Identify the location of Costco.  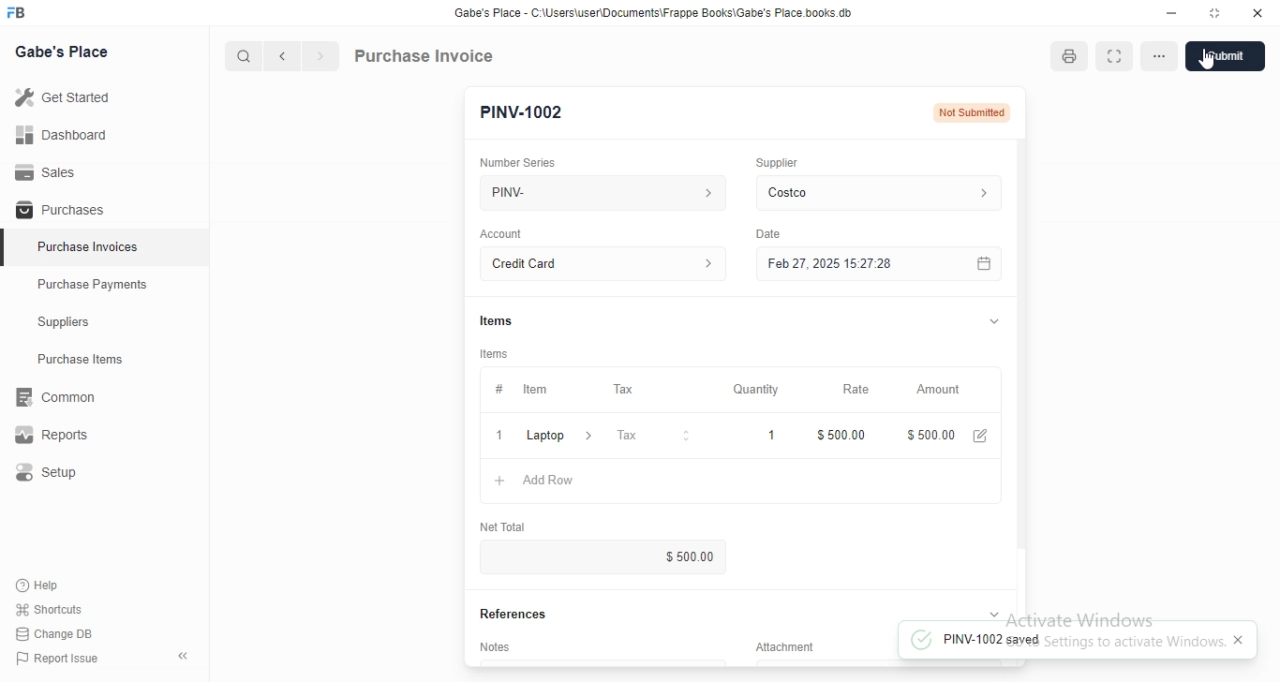
(879, 193).